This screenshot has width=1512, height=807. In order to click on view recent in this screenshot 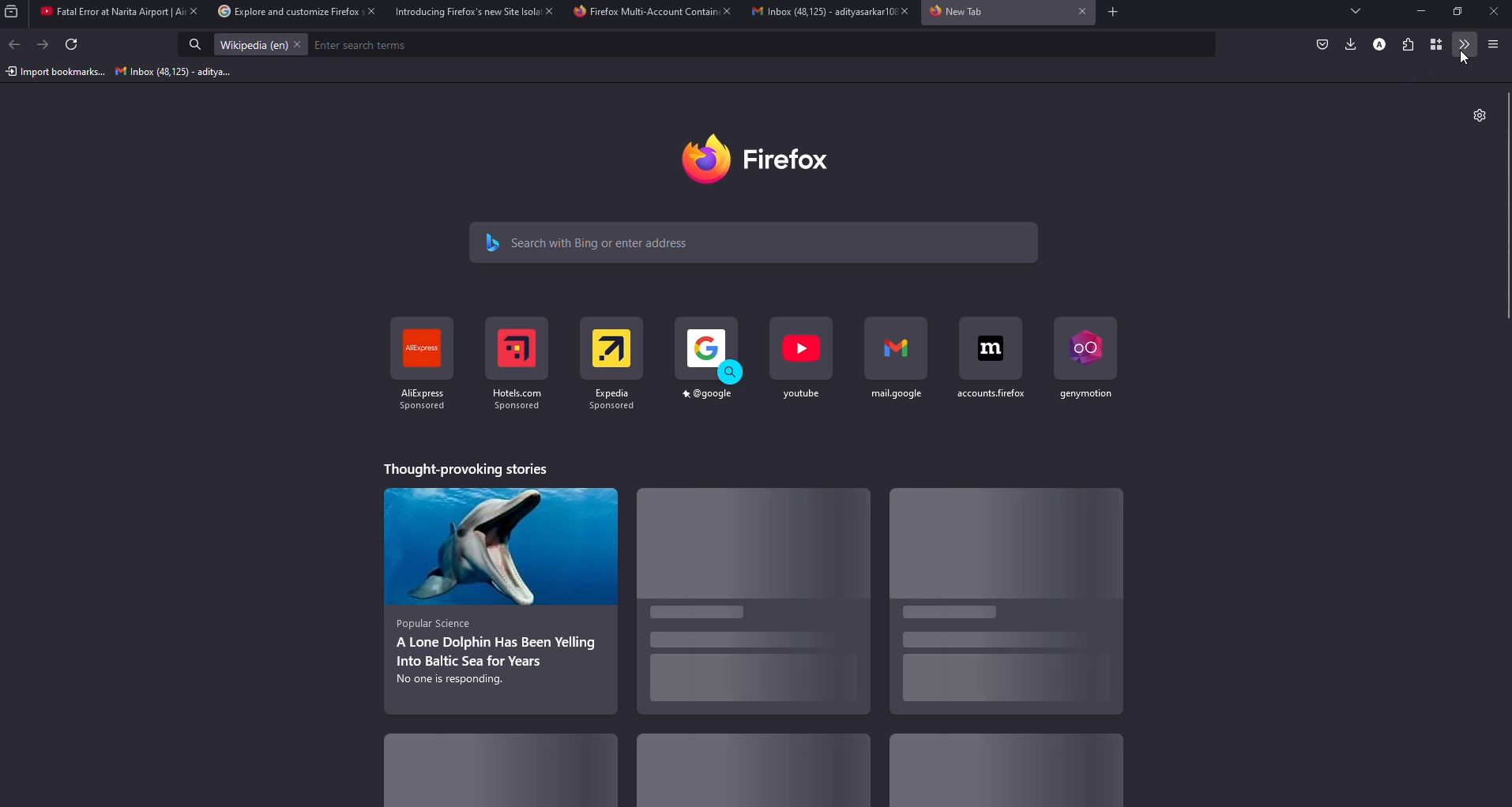, I will do `click(14, 12)`.